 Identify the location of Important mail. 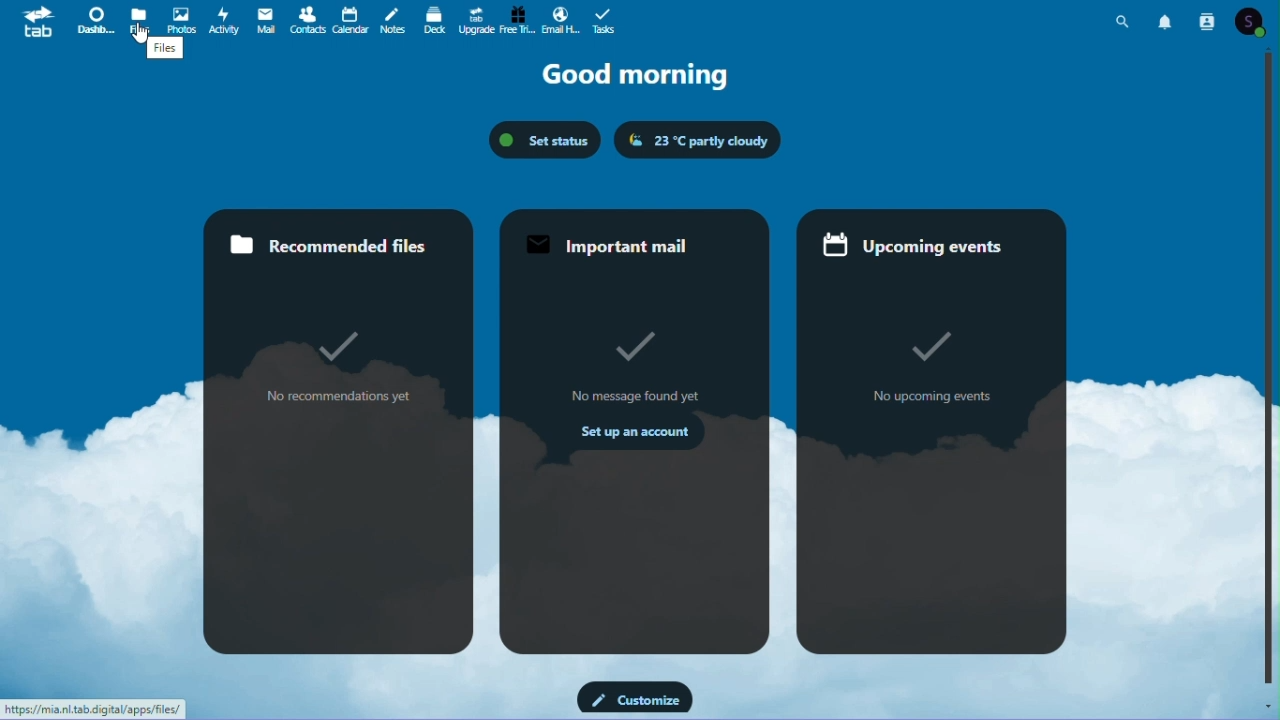
(632, 431).